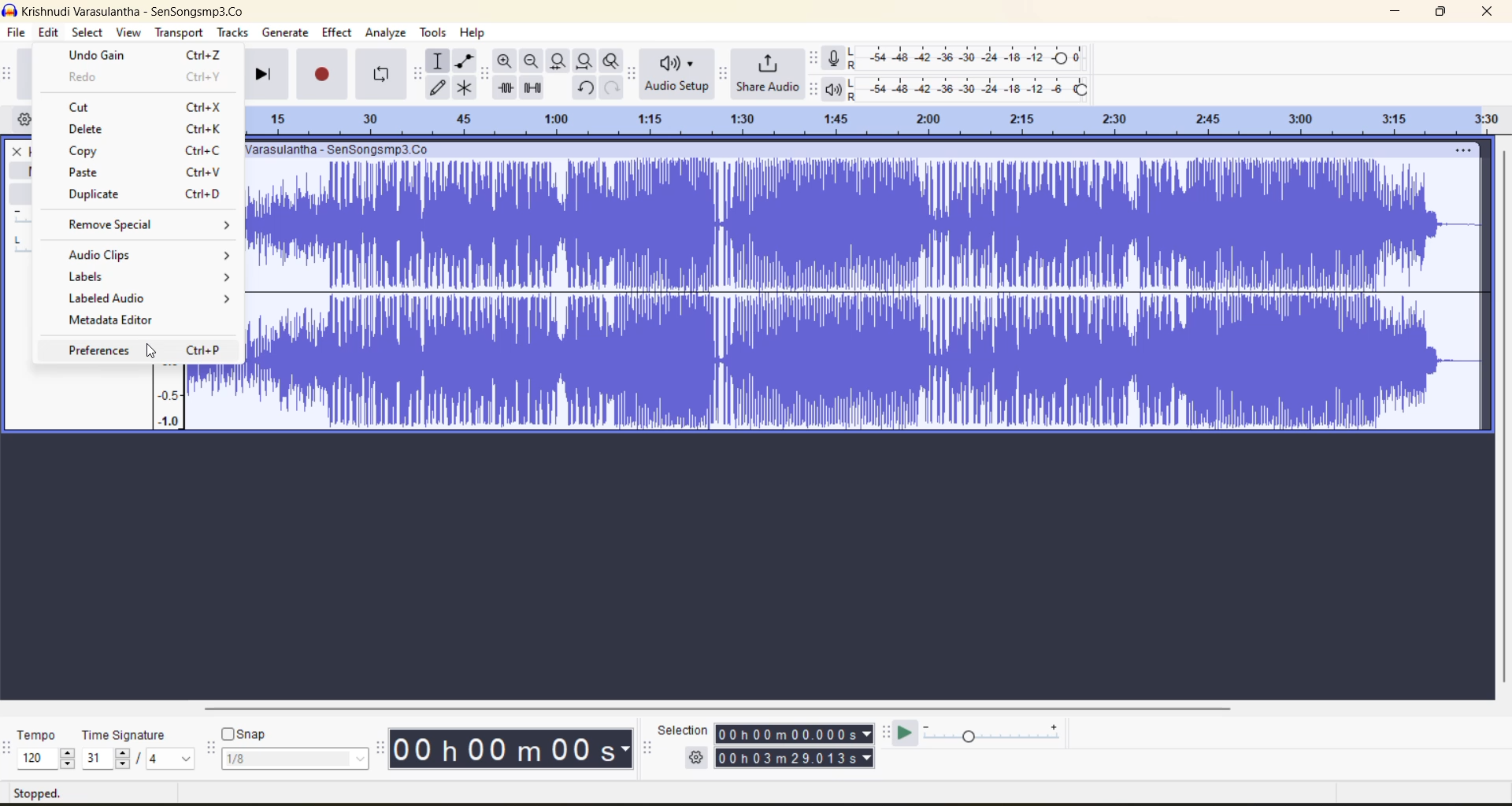 This screenshot has width=1512, height=806. Describe the element at coordinates (23, 118) in the screenshot. I see `timeline options` at that location.